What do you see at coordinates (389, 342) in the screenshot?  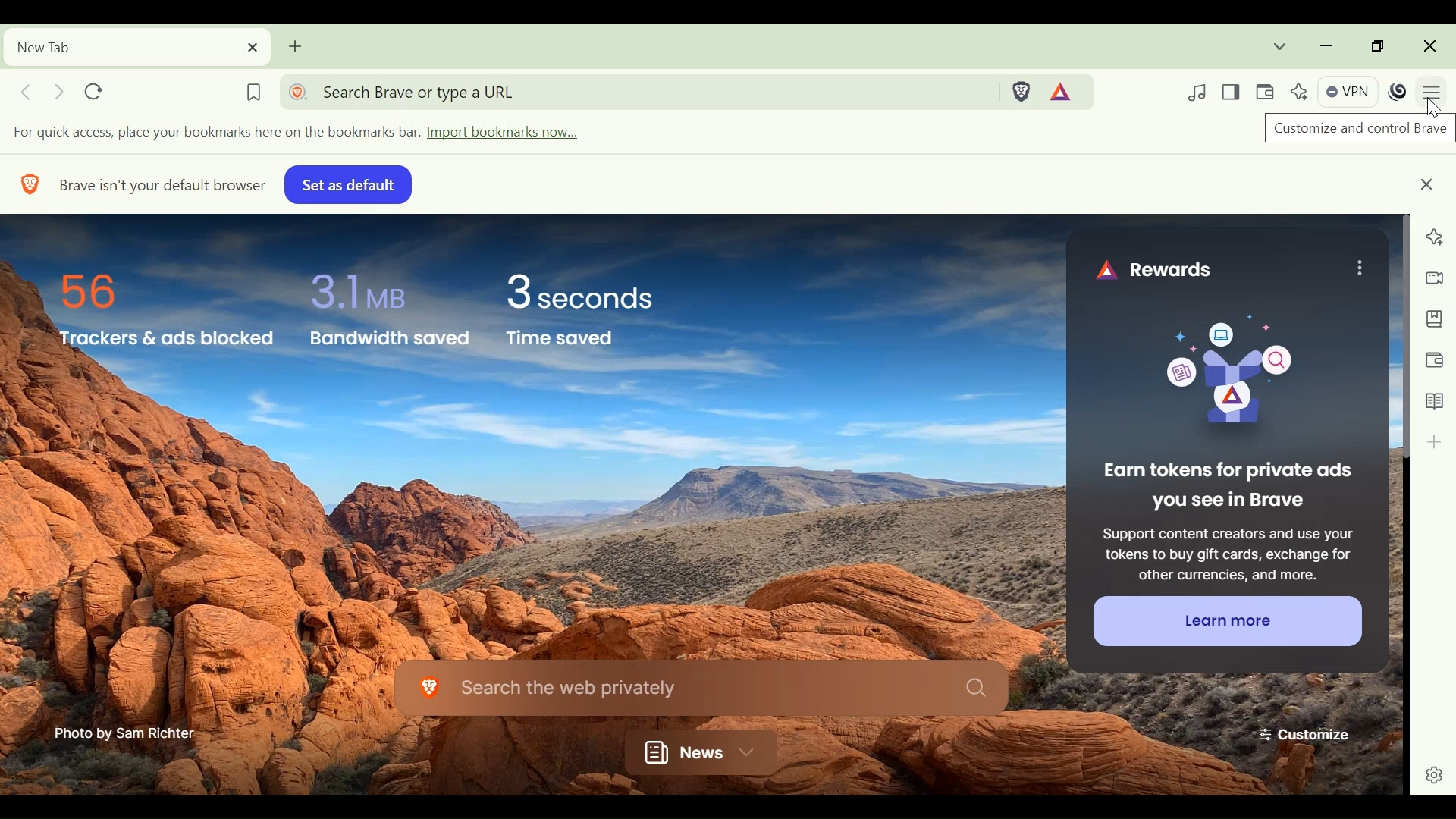 I see `Bandwidth saved` at bounding box center [389, 342].